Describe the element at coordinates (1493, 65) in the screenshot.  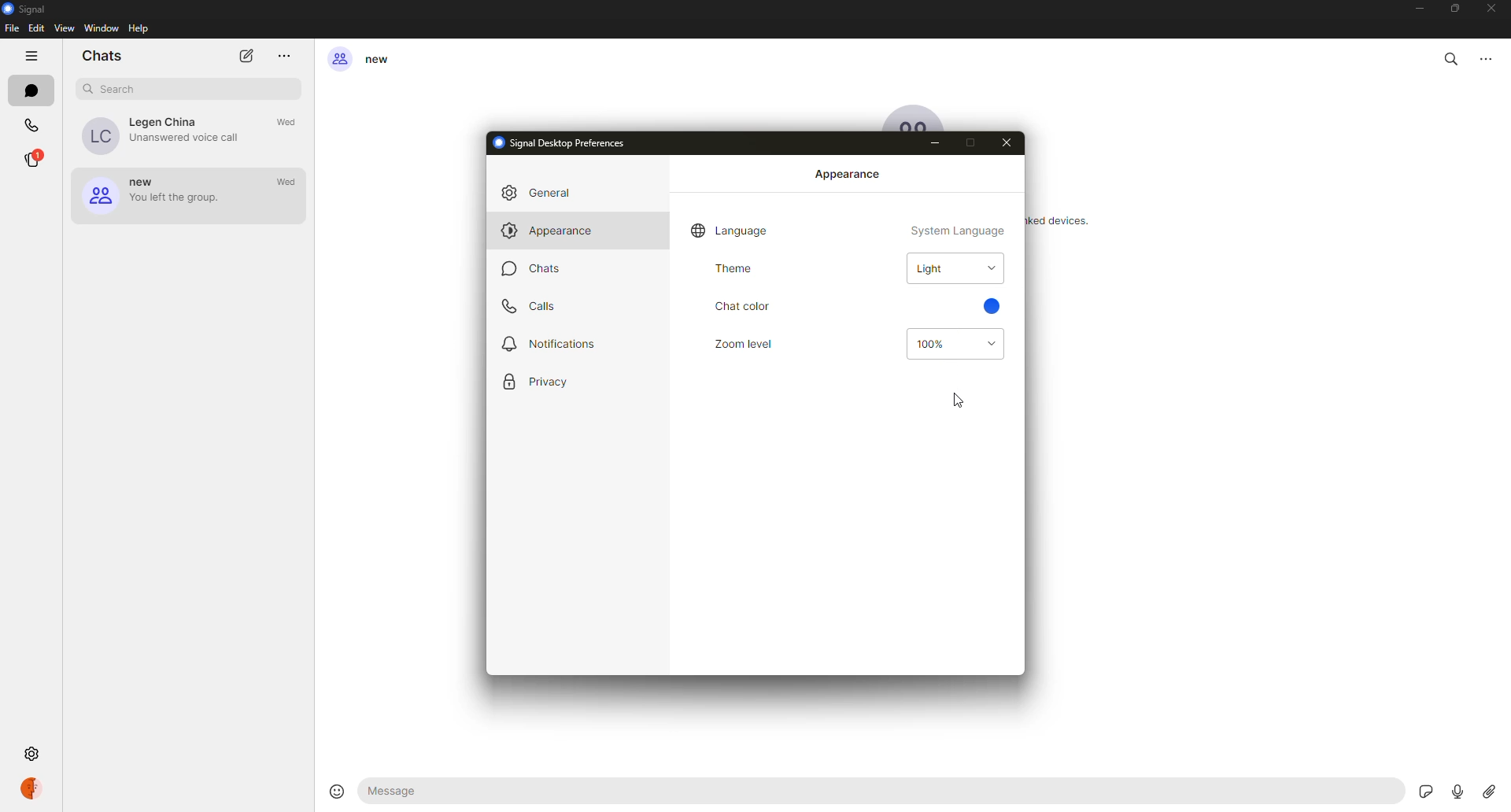
I see `options` at that location.